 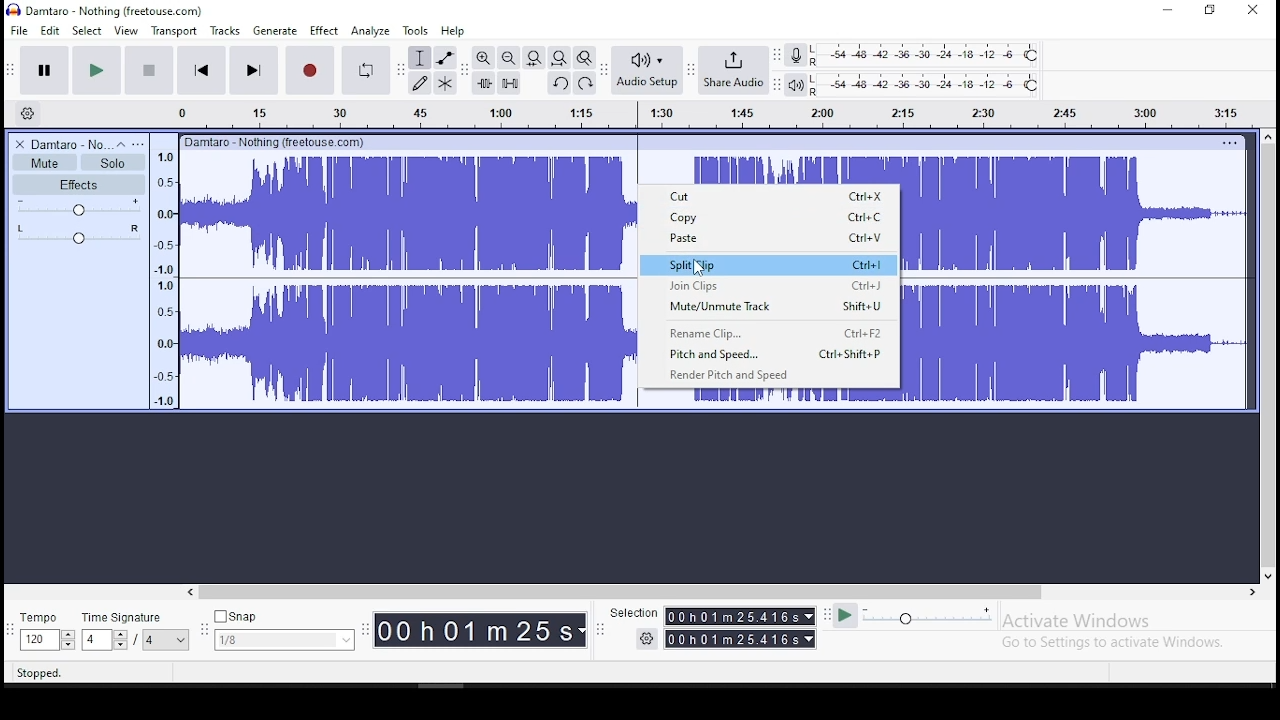 I want to click on view, so click(x=125, y=29).